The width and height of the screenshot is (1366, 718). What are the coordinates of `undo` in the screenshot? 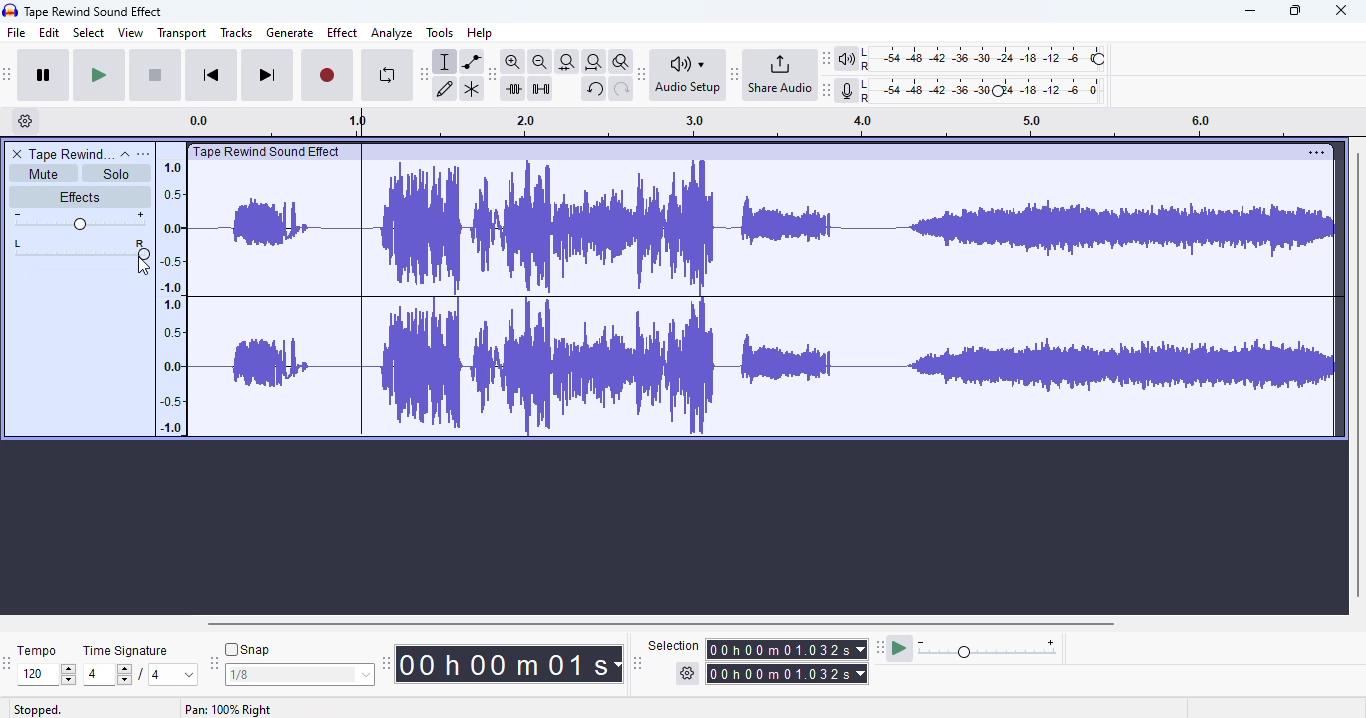 It's located at (594, 89).